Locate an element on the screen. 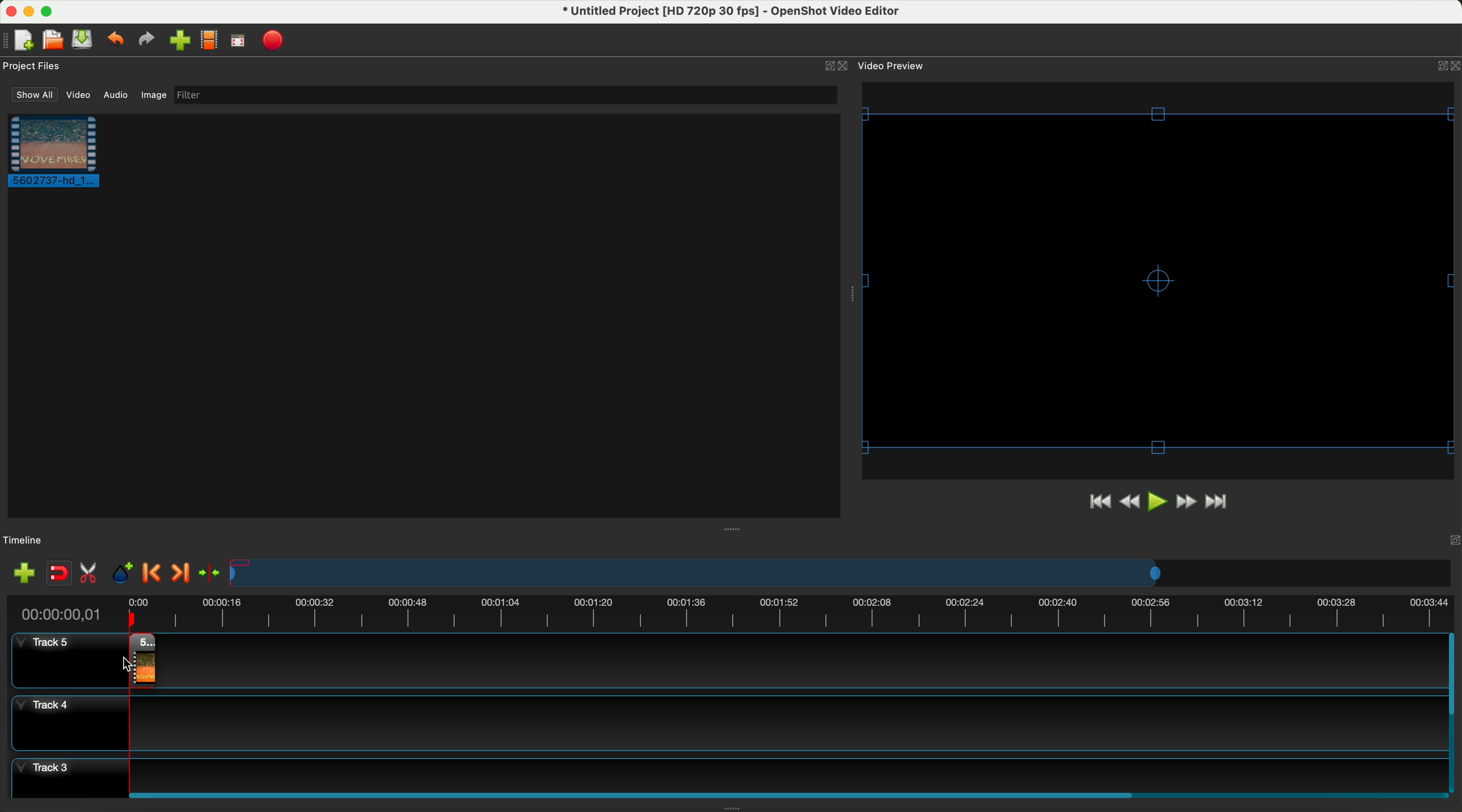  next marker is located at coordinates (184, 570).